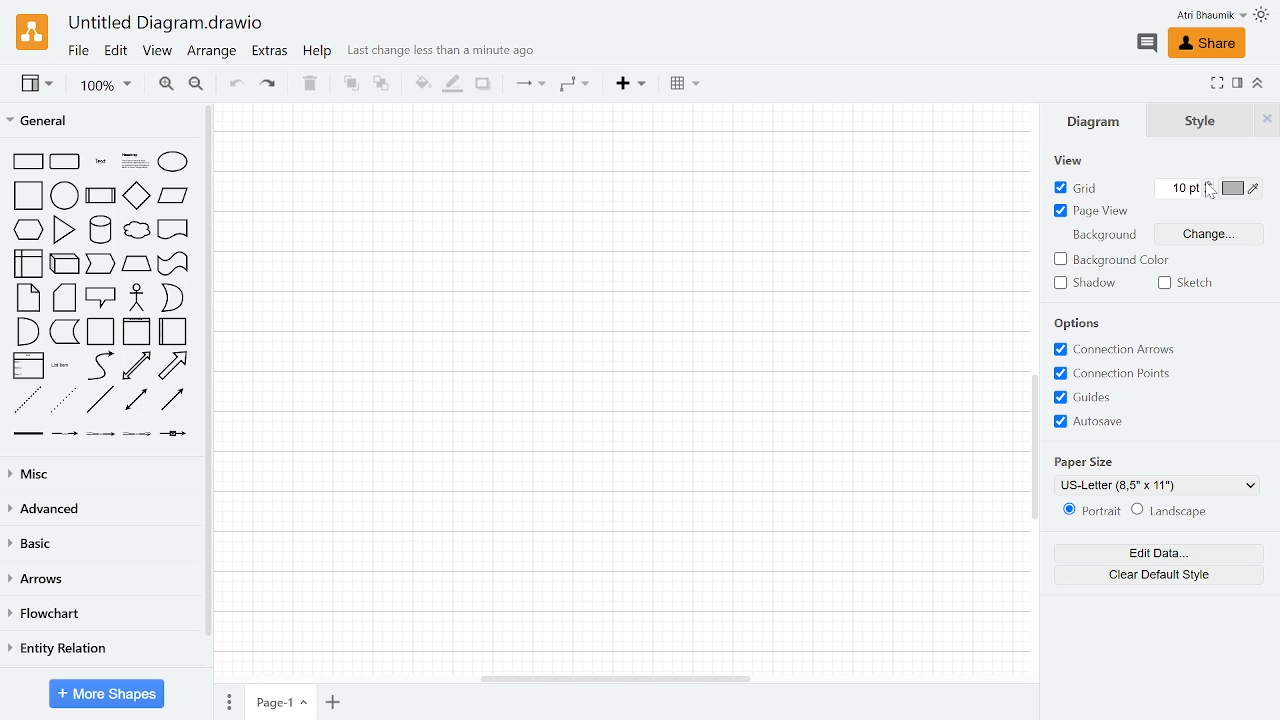 The height and width of the screenshot is (720, 1280). I want to click on Arrange, so click(214, 53).